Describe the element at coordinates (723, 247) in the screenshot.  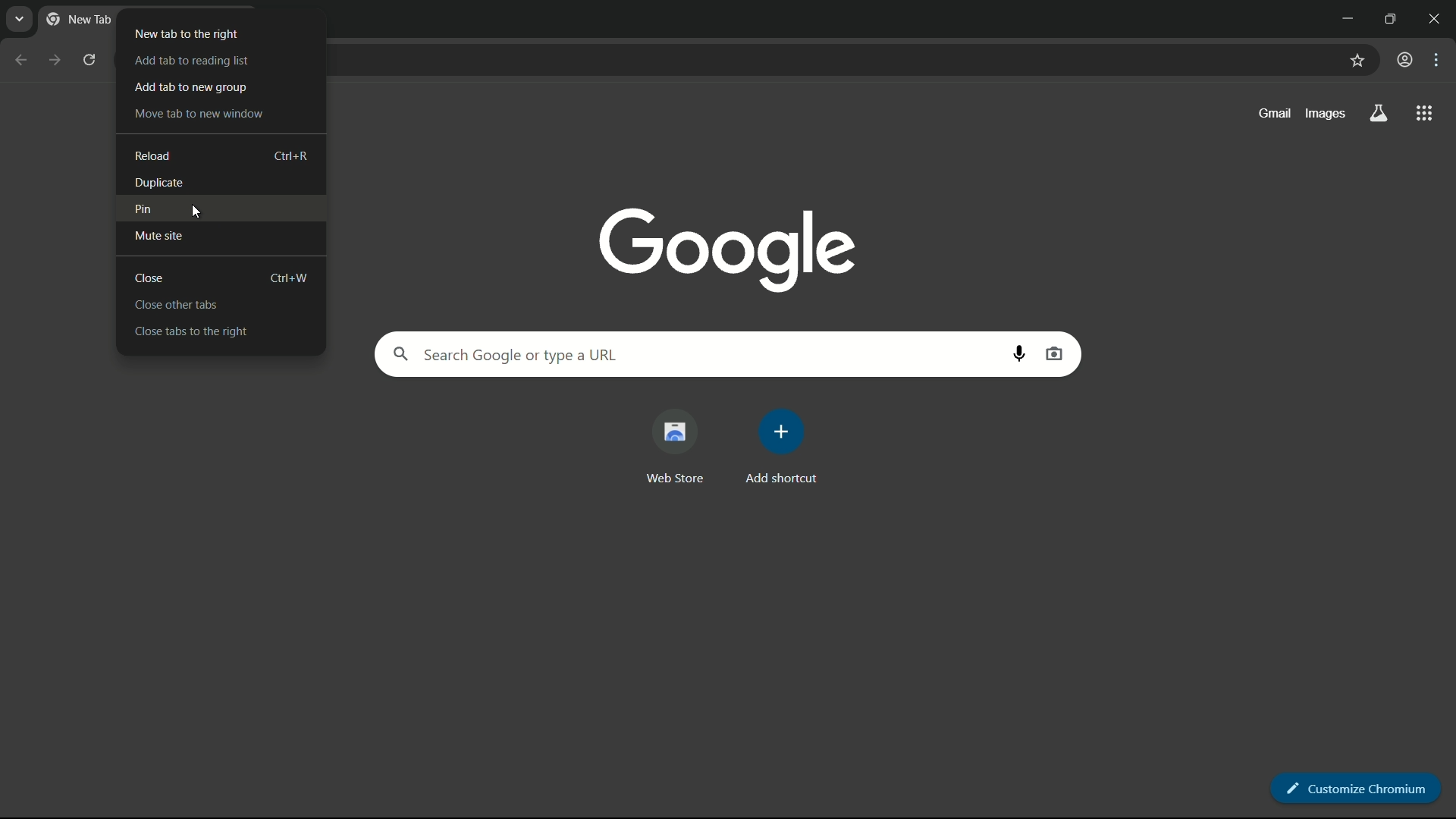
I see `google thumbnail` at that location.